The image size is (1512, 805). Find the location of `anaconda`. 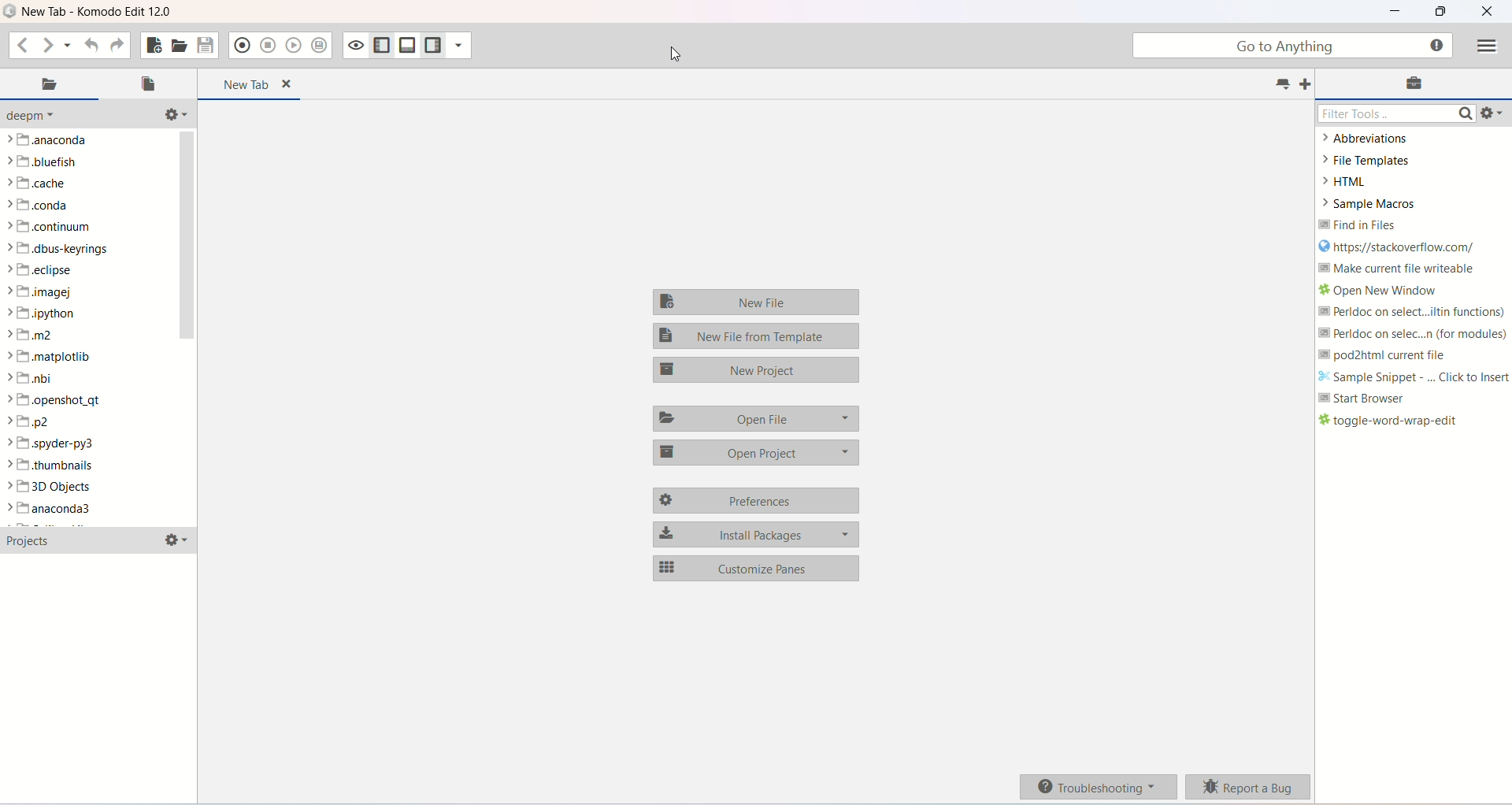

anaconda is located at coordinates (57, 510).